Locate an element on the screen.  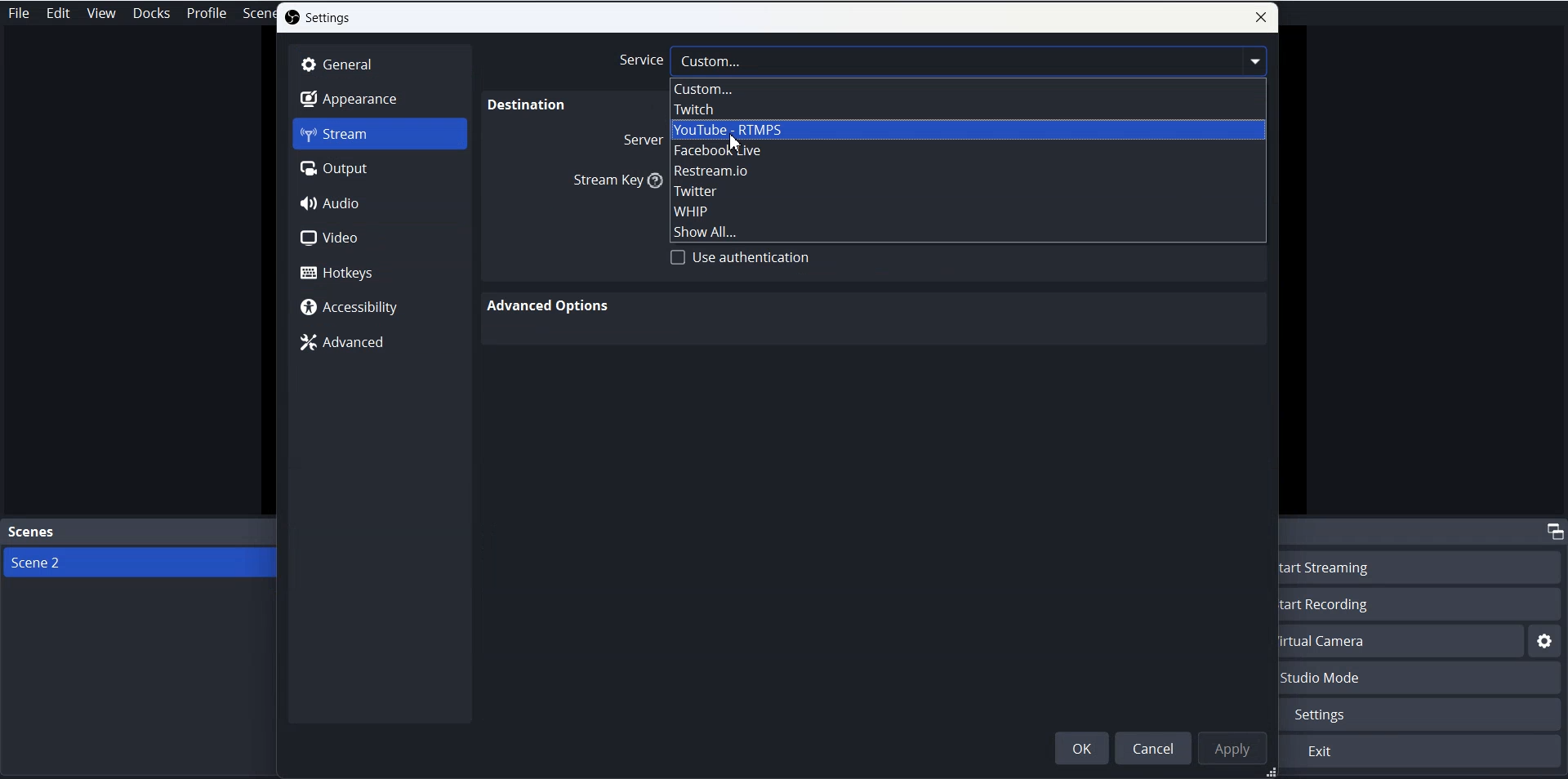
Show all is located at coordinates (966, 230).